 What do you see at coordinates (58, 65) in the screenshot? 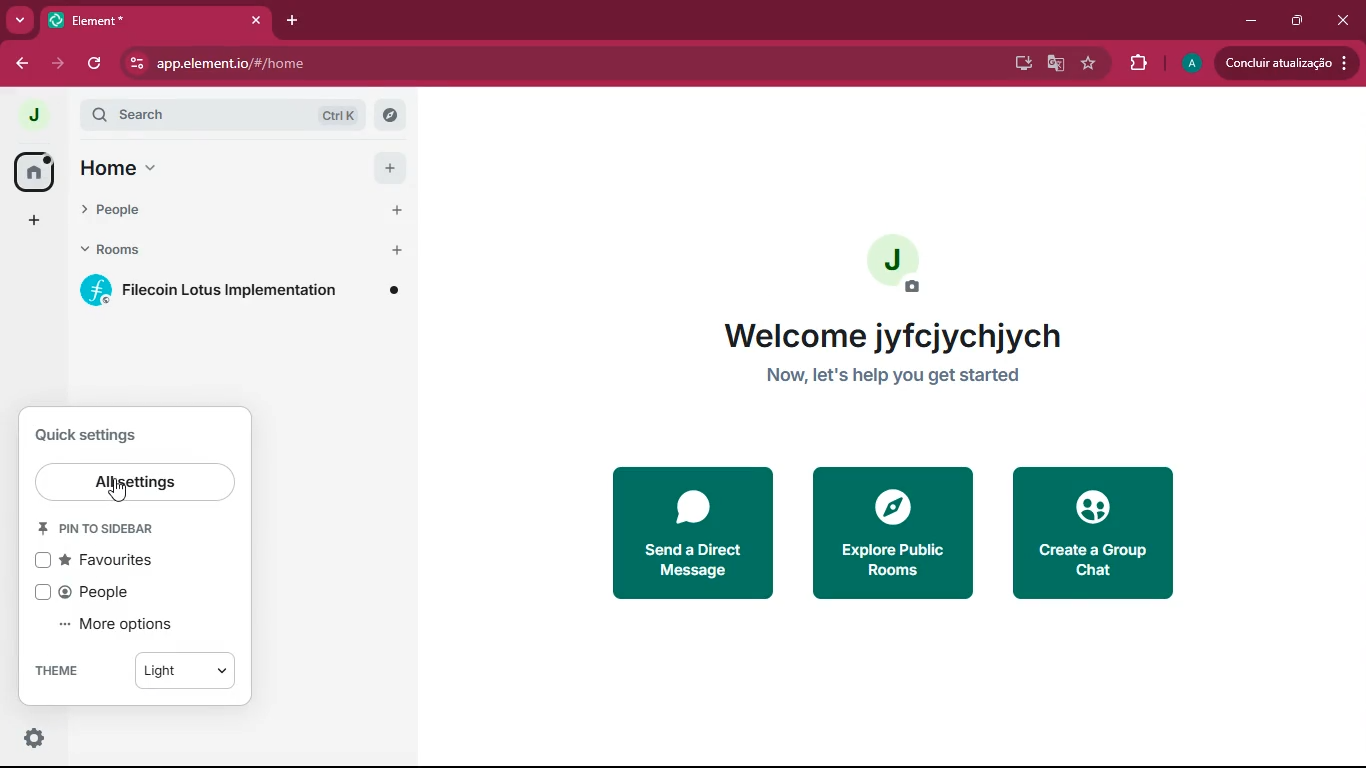
I see `forward` at bounding box center [58, 65].